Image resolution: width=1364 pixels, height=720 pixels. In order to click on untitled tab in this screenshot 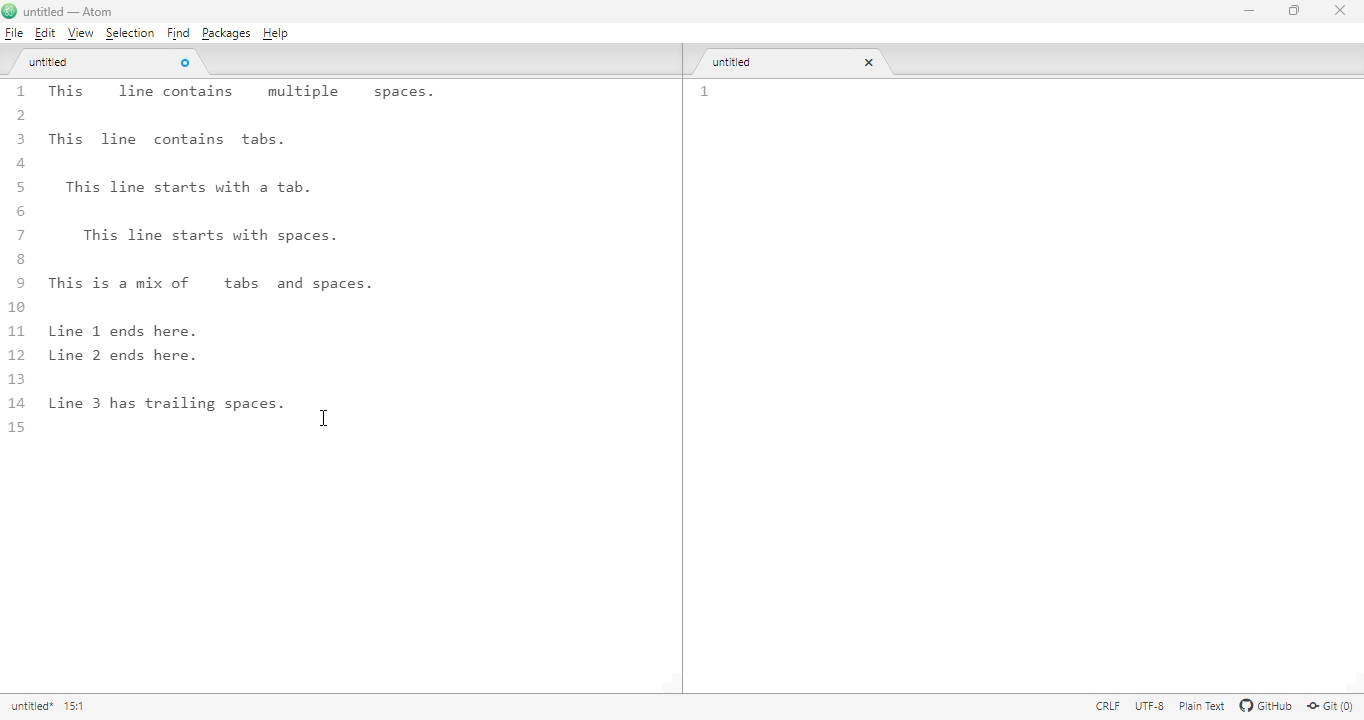, I will do `click(50, 62)`.